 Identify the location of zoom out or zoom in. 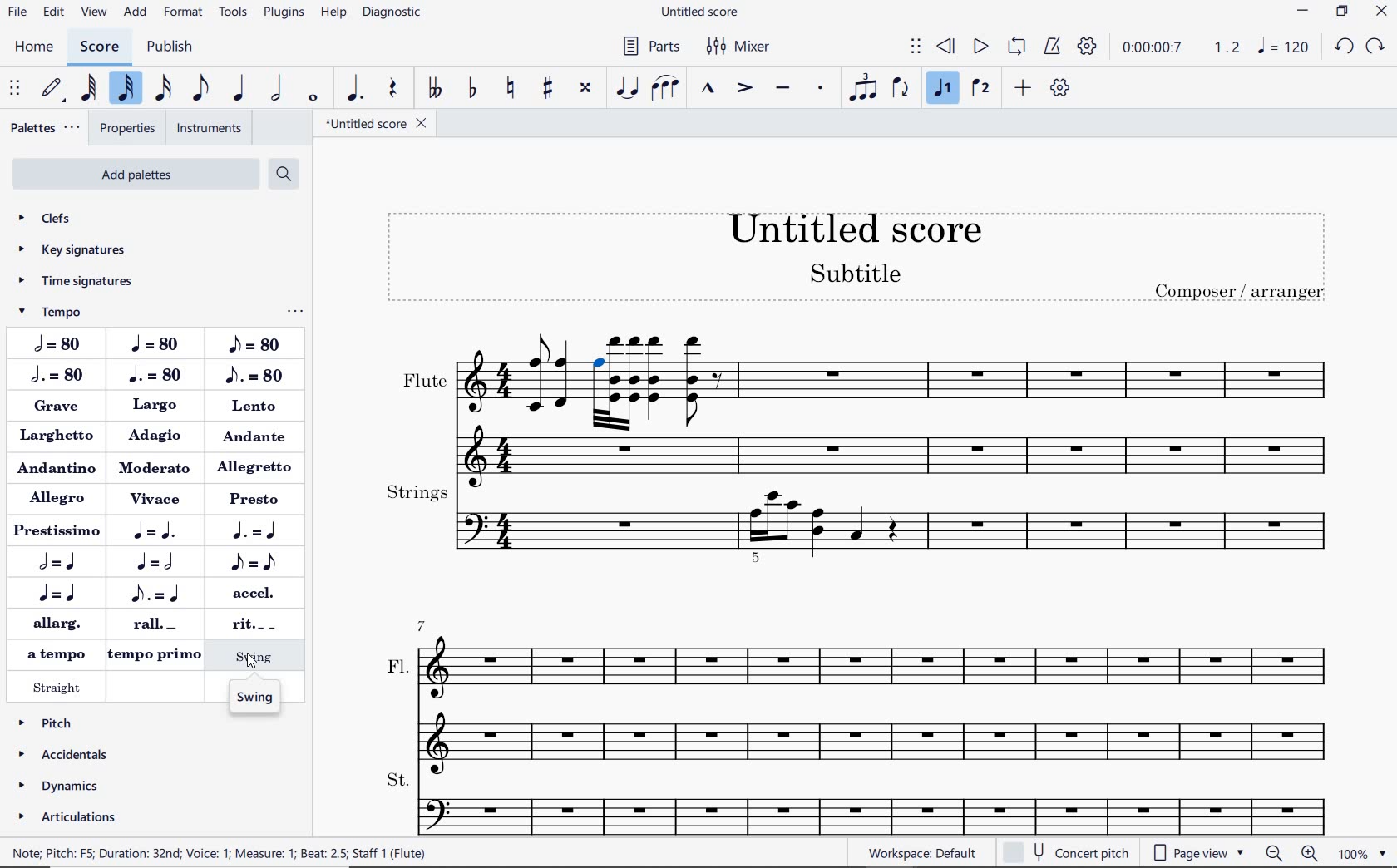
(1291, 854).